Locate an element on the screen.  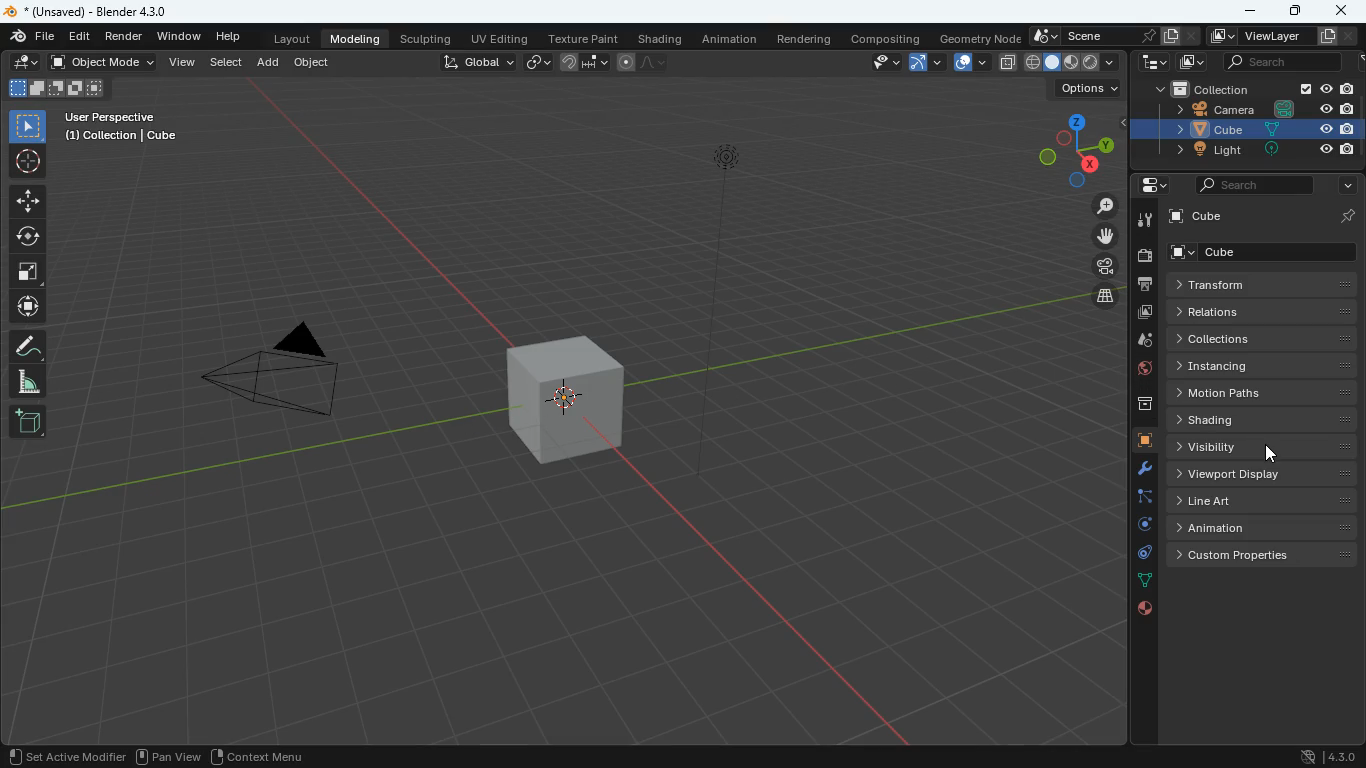
image is located at coordinates (1146, 313).